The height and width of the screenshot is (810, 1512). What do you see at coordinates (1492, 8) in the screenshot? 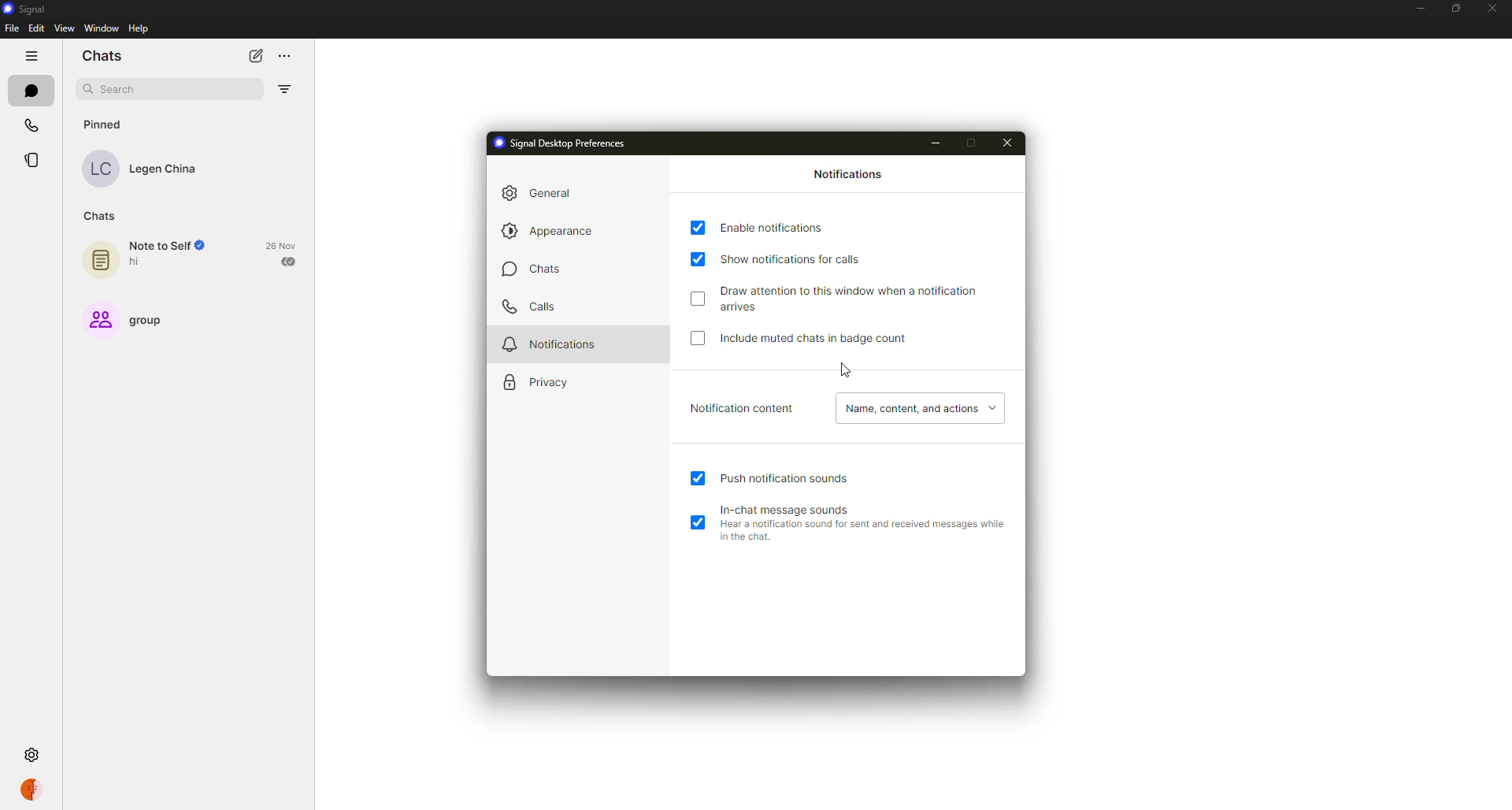
I see `close` at bounding box center [1492, 8].